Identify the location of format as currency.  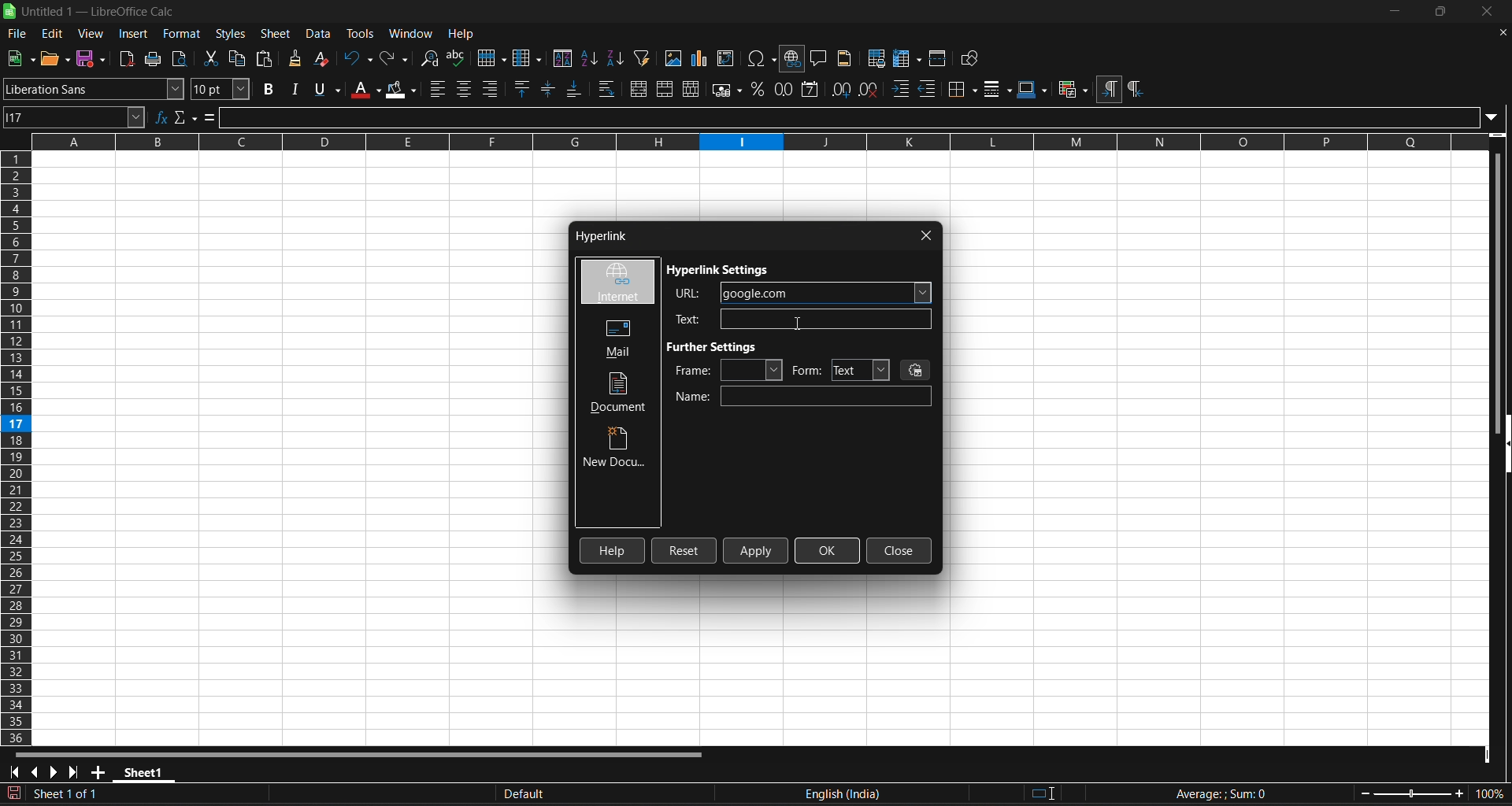
(725, 89).